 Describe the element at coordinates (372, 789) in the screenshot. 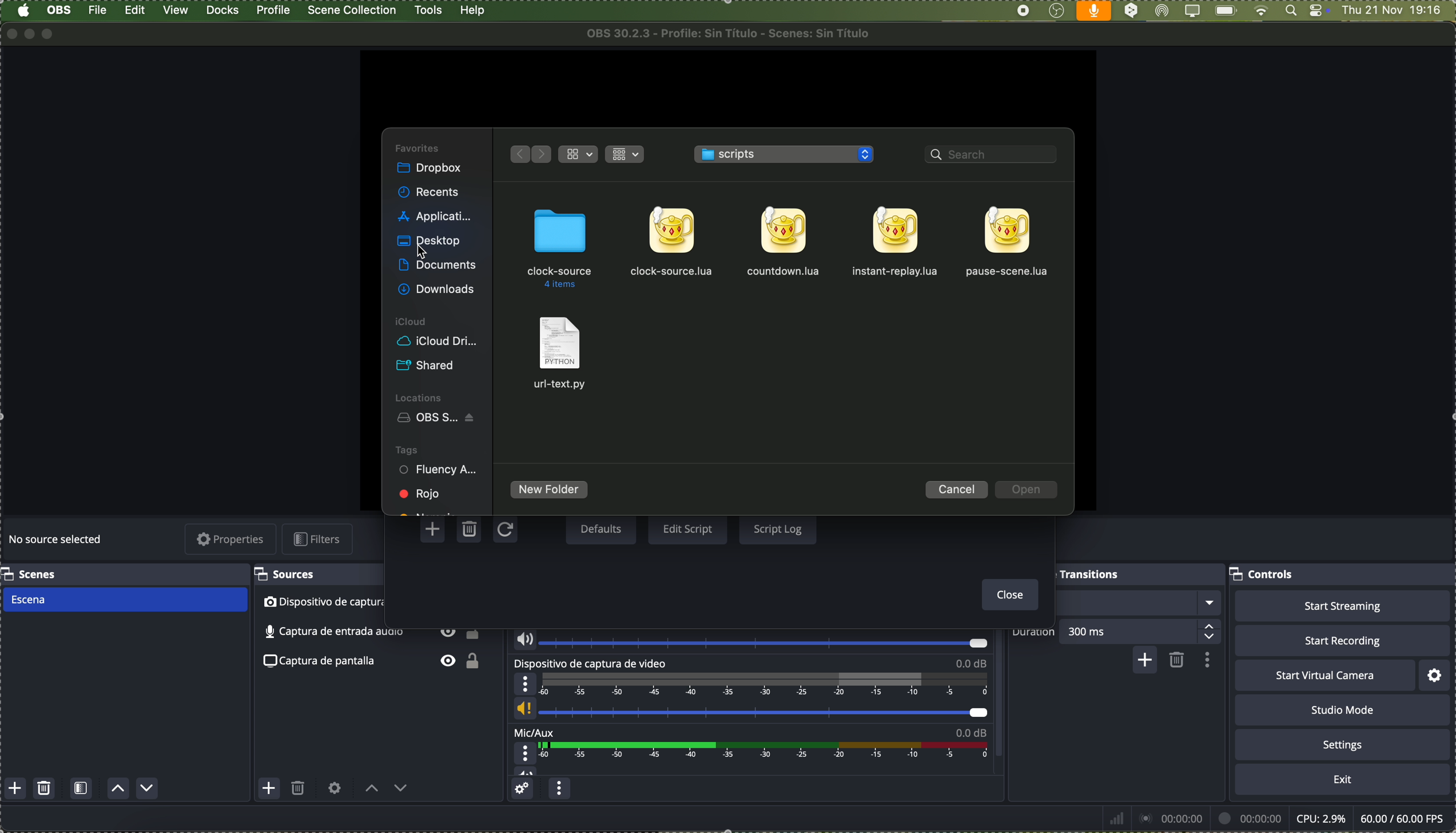

I see `move source up` at that location.